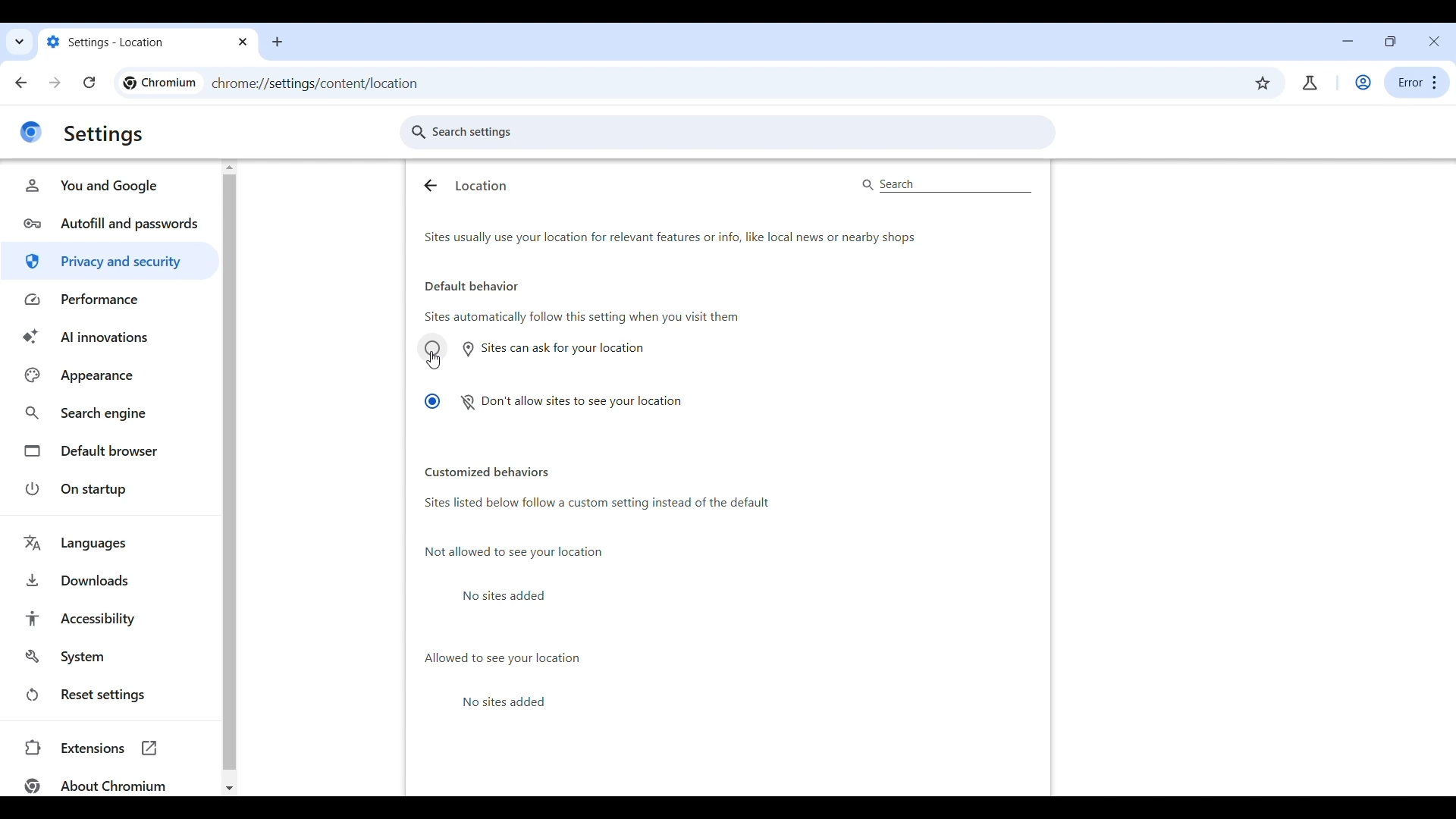  Describe the element at coordinates (1348, 41) in the screenshot. I see `Minimize` at that location.